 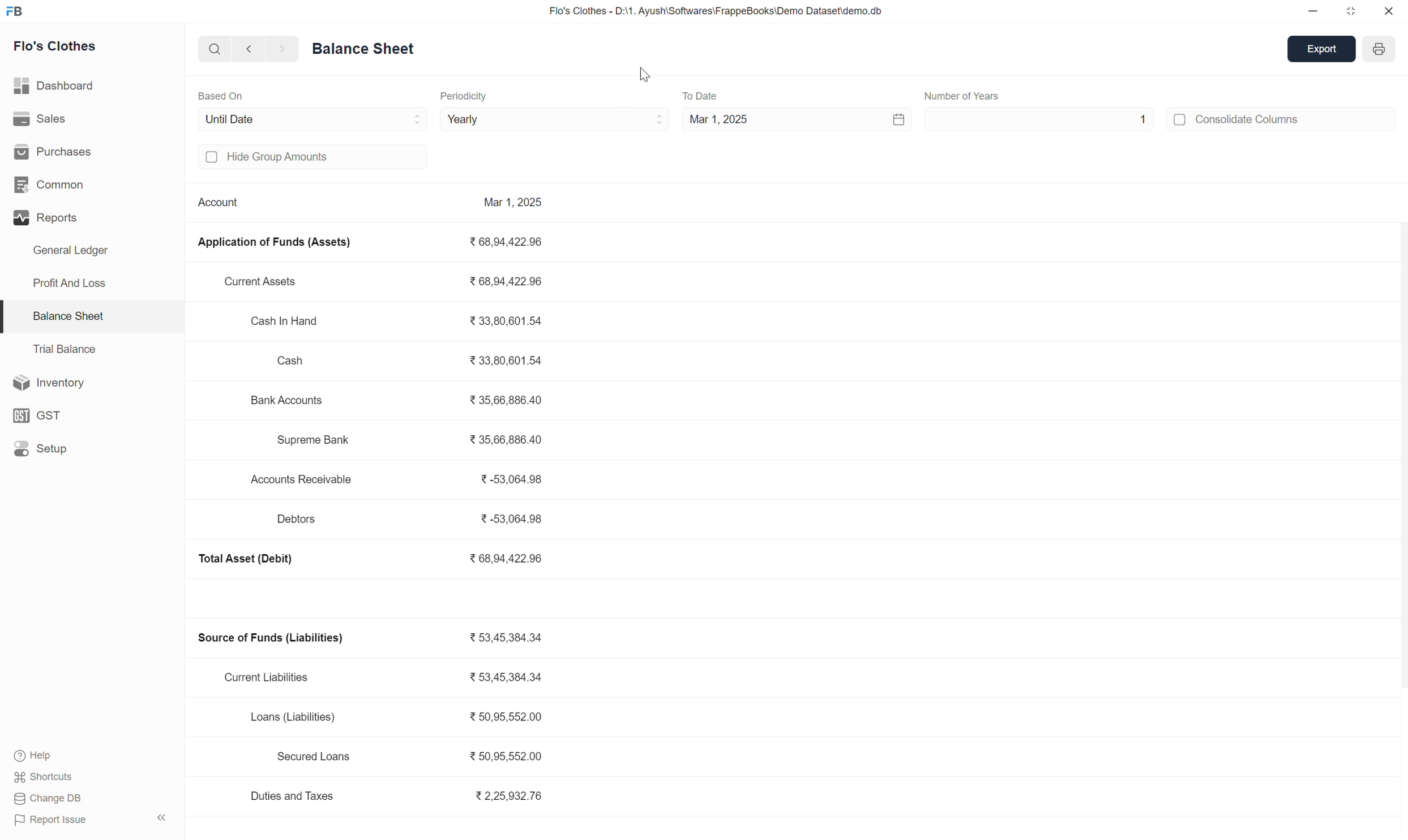 What do you see at coordinates (301, 479) in the screenshot?
I see `Accounts Receivable` at bounding box center [301, 479].